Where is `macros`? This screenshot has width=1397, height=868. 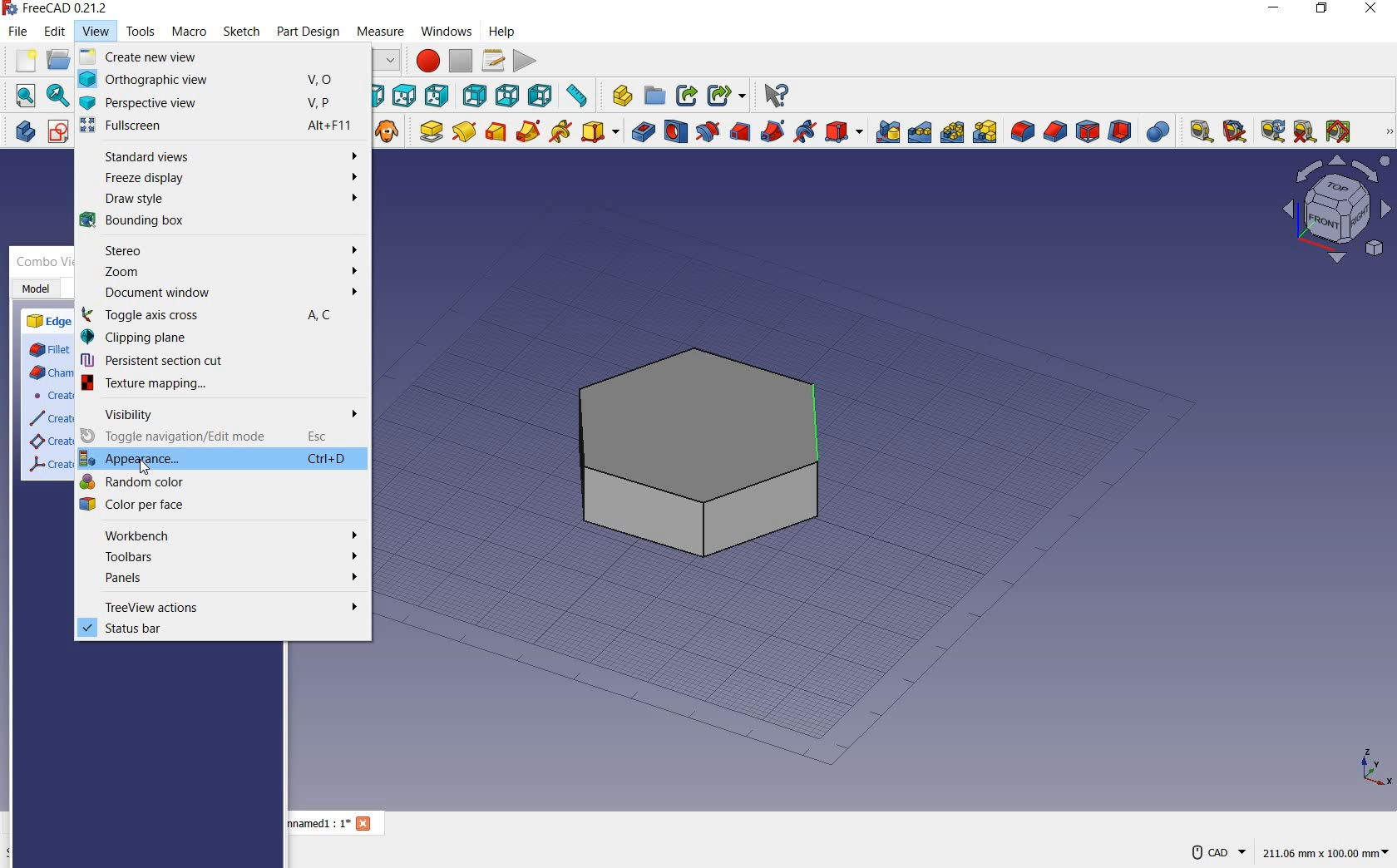 macros is located at coordinates (492, 61).